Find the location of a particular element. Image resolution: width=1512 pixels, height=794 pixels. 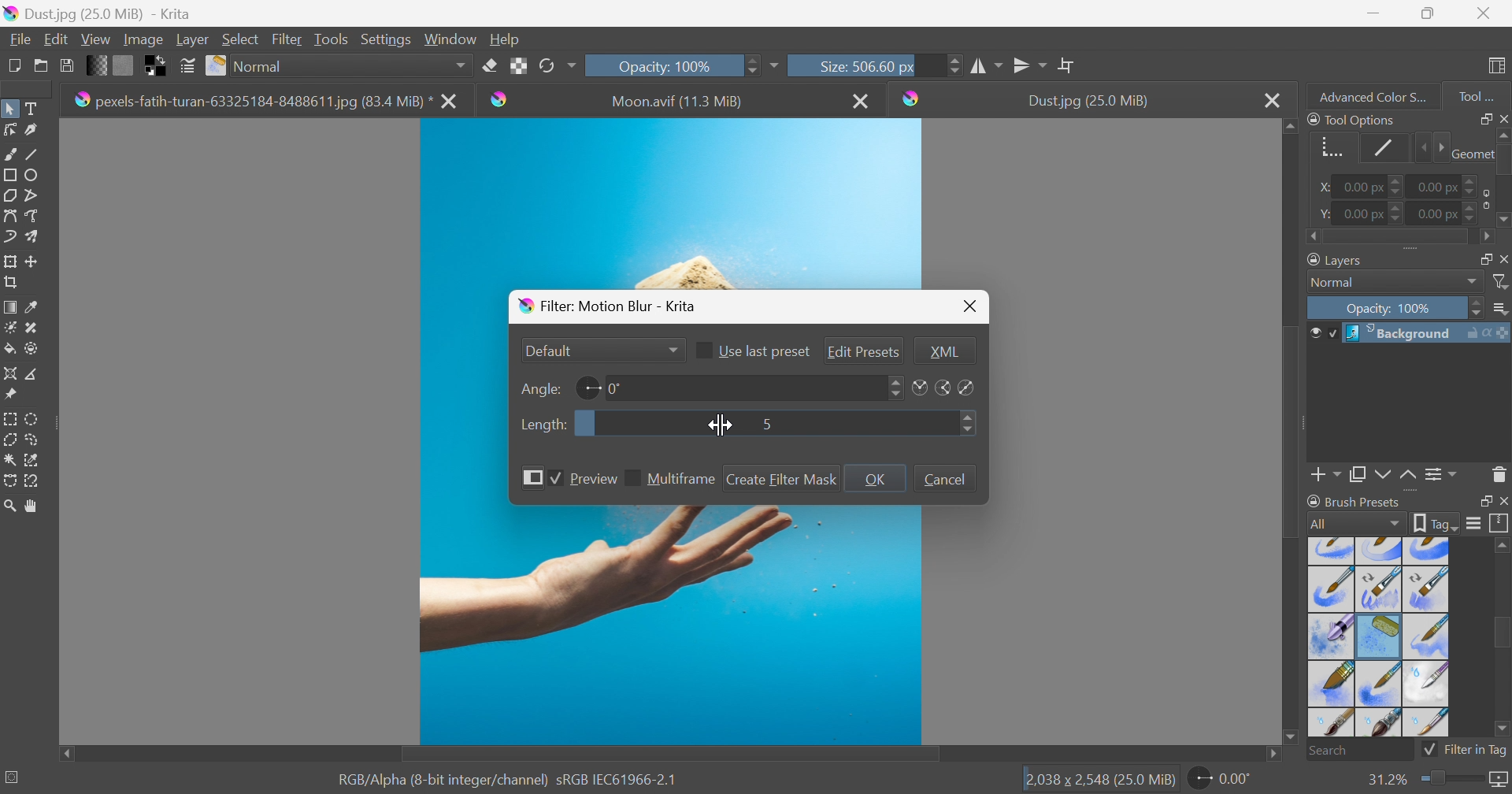

Preview is located at coordinates (593, 480).